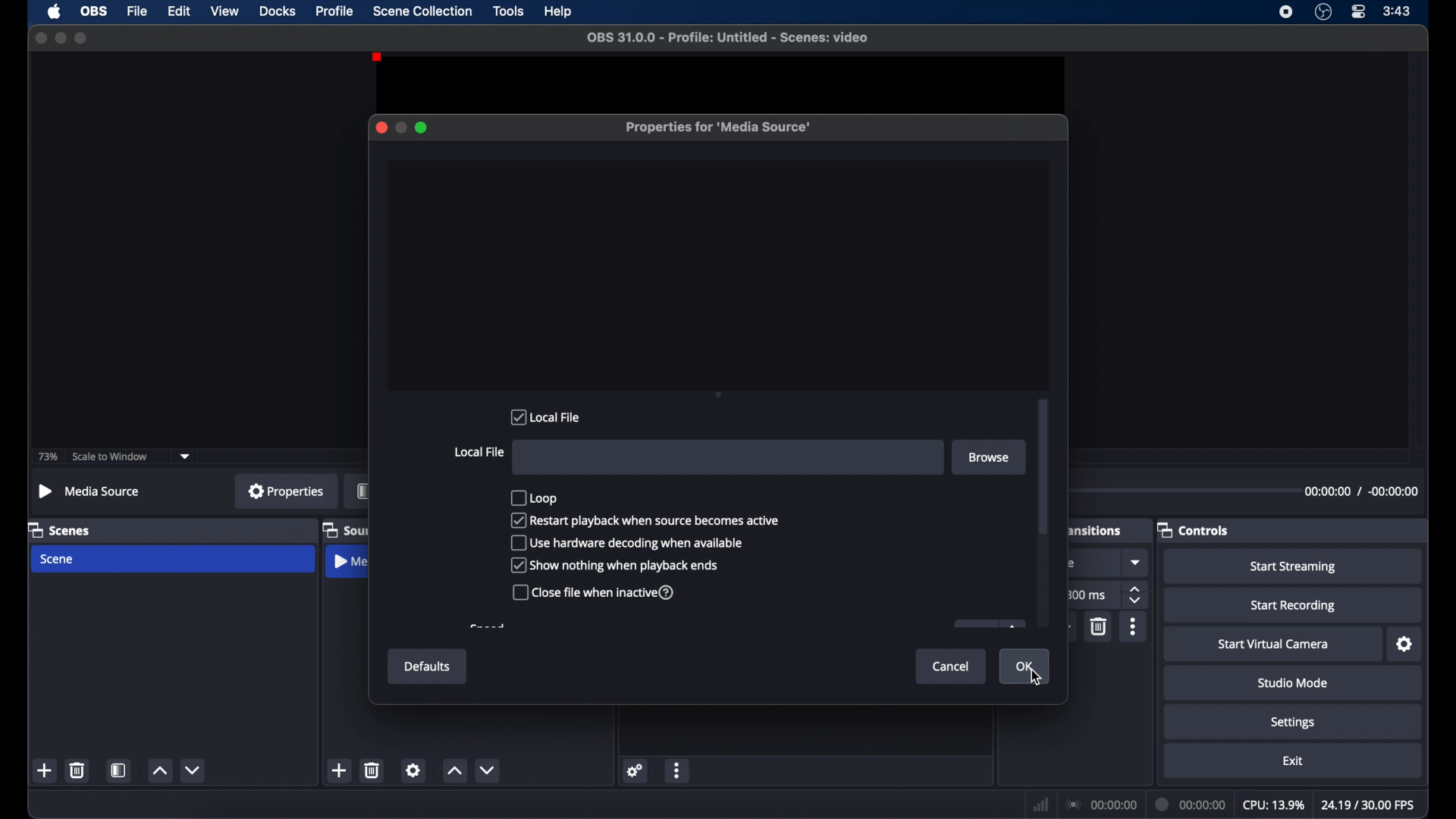  What do you see at coordinates (1137, 562) in the screenshot?
I see `dropdown` at bounding box center [1137, 562].